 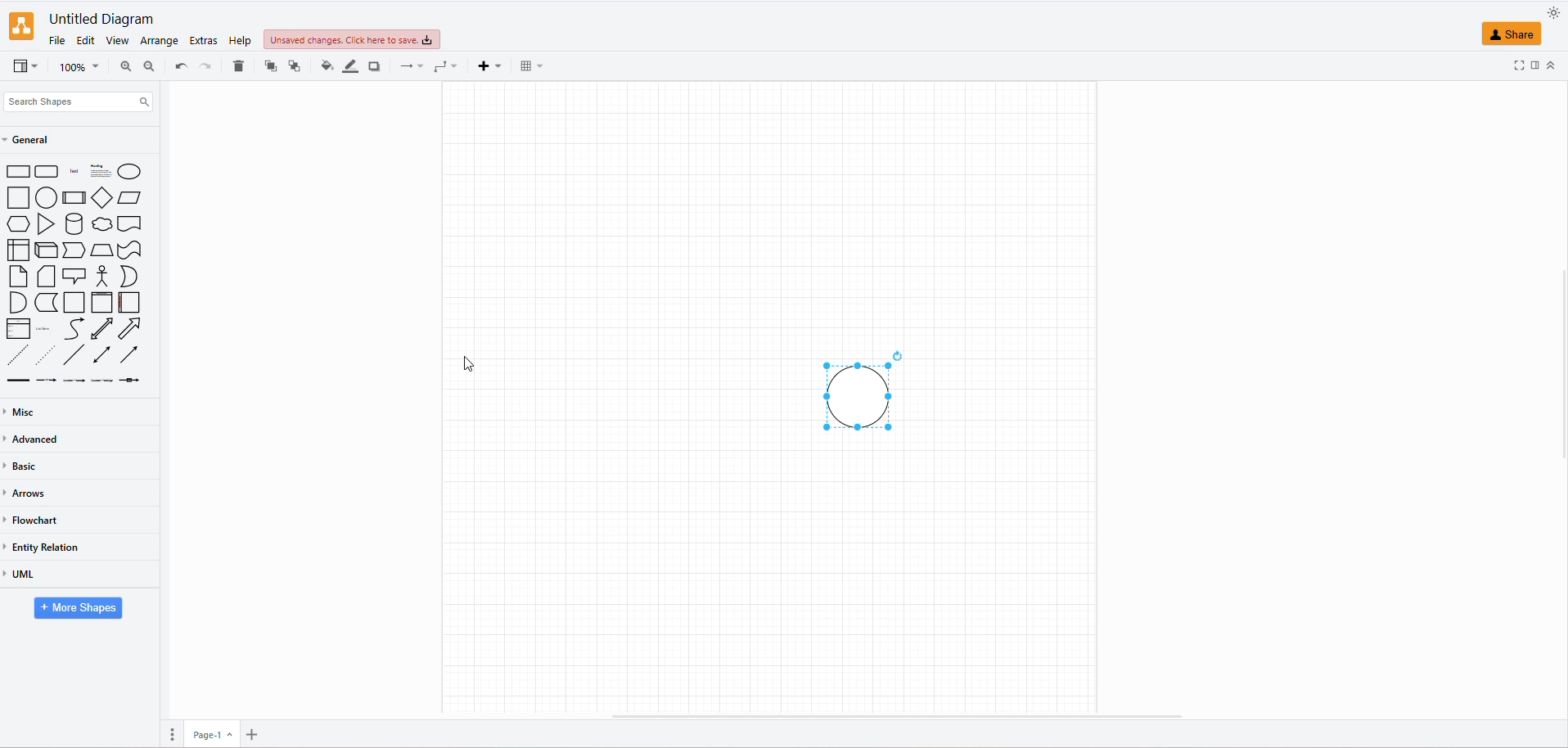 I want to click on TRAPEZOID, so click(x=103, y=250).